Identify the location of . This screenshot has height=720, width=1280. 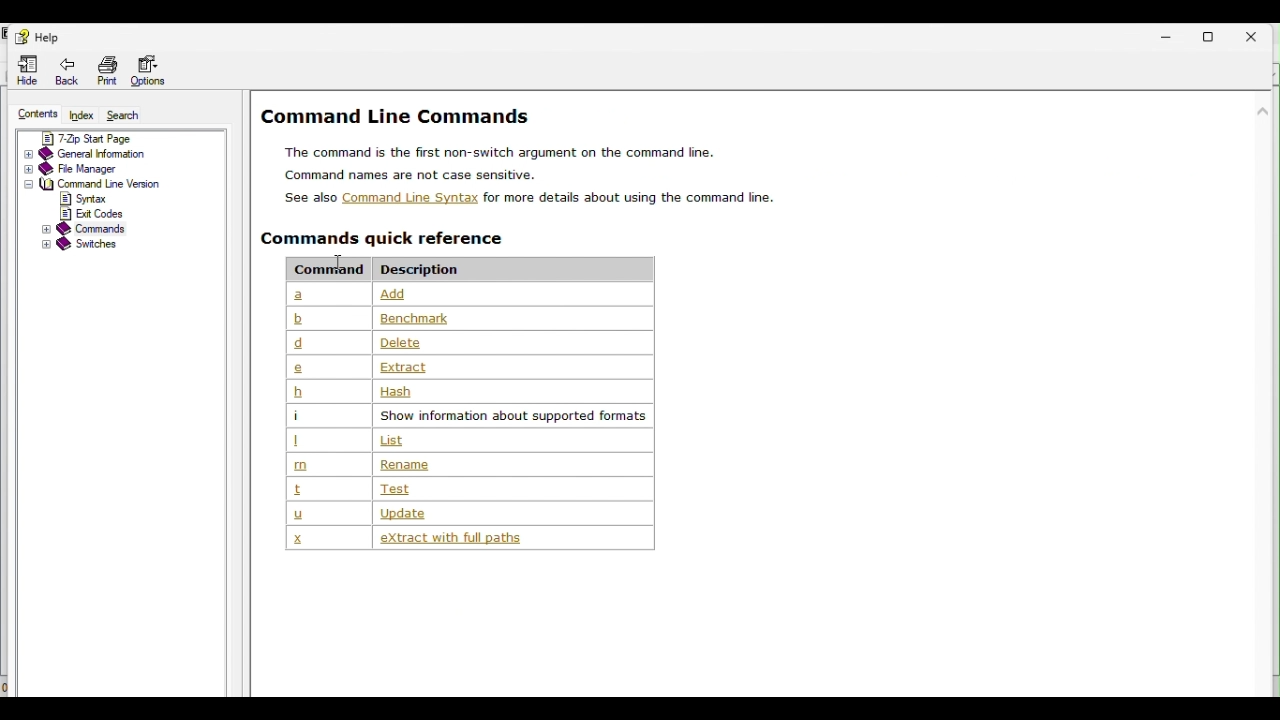
(36, 37).